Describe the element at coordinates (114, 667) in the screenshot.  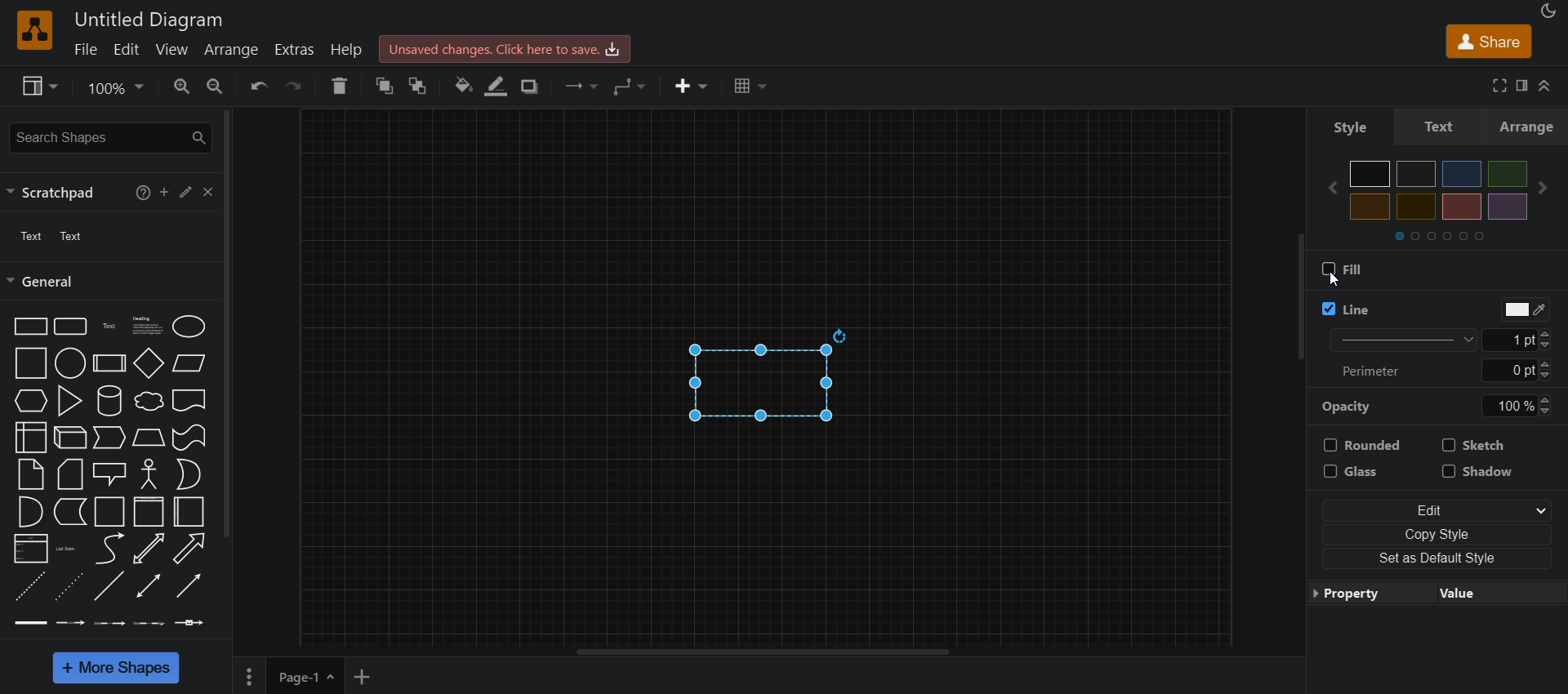
I see `more shapes` at that location.